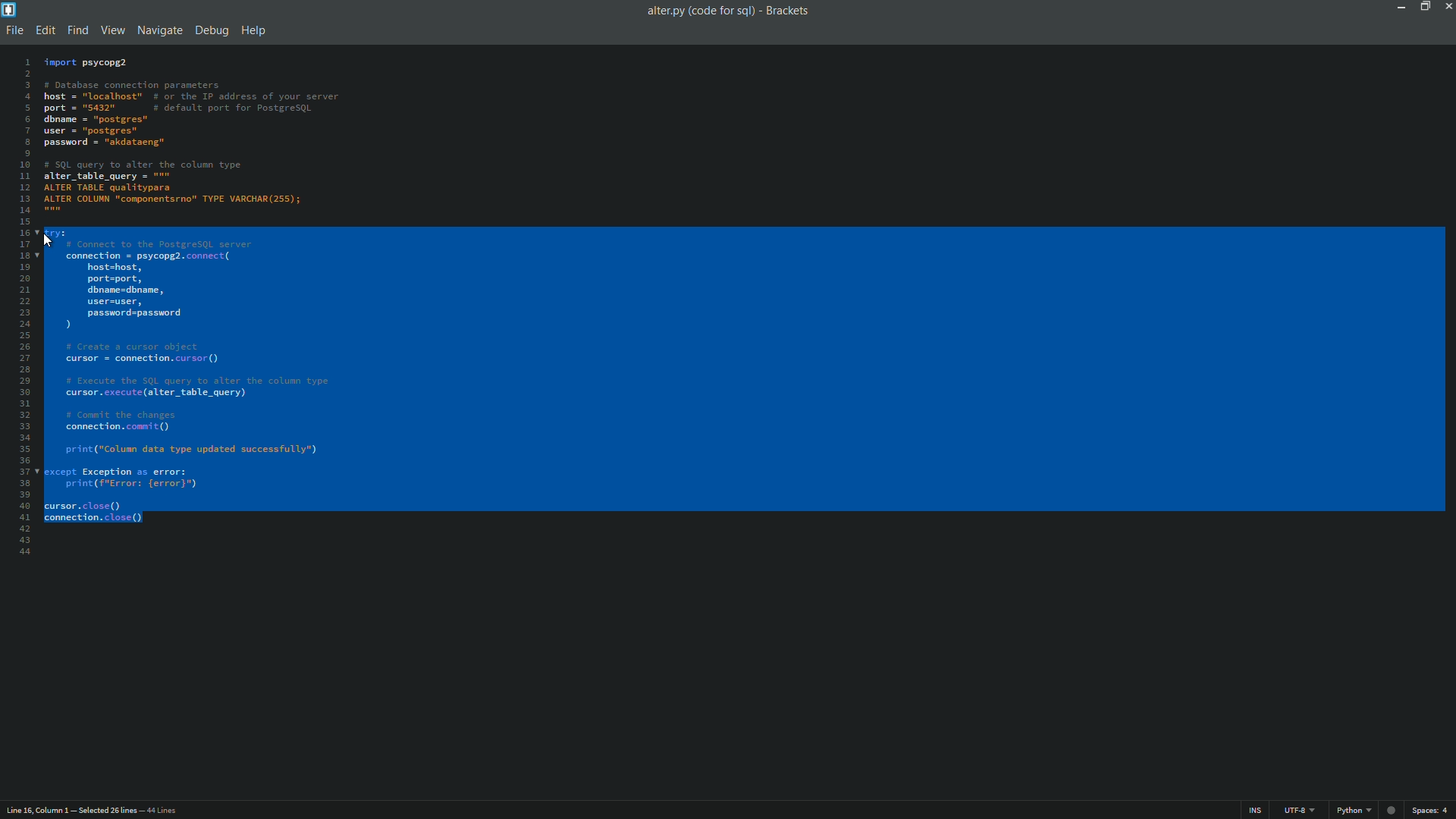 The height and width of the screenshot is (819, 1456). Describe the element at coordinates (254, 30) in the screenshot. I see `help menu` at that location.